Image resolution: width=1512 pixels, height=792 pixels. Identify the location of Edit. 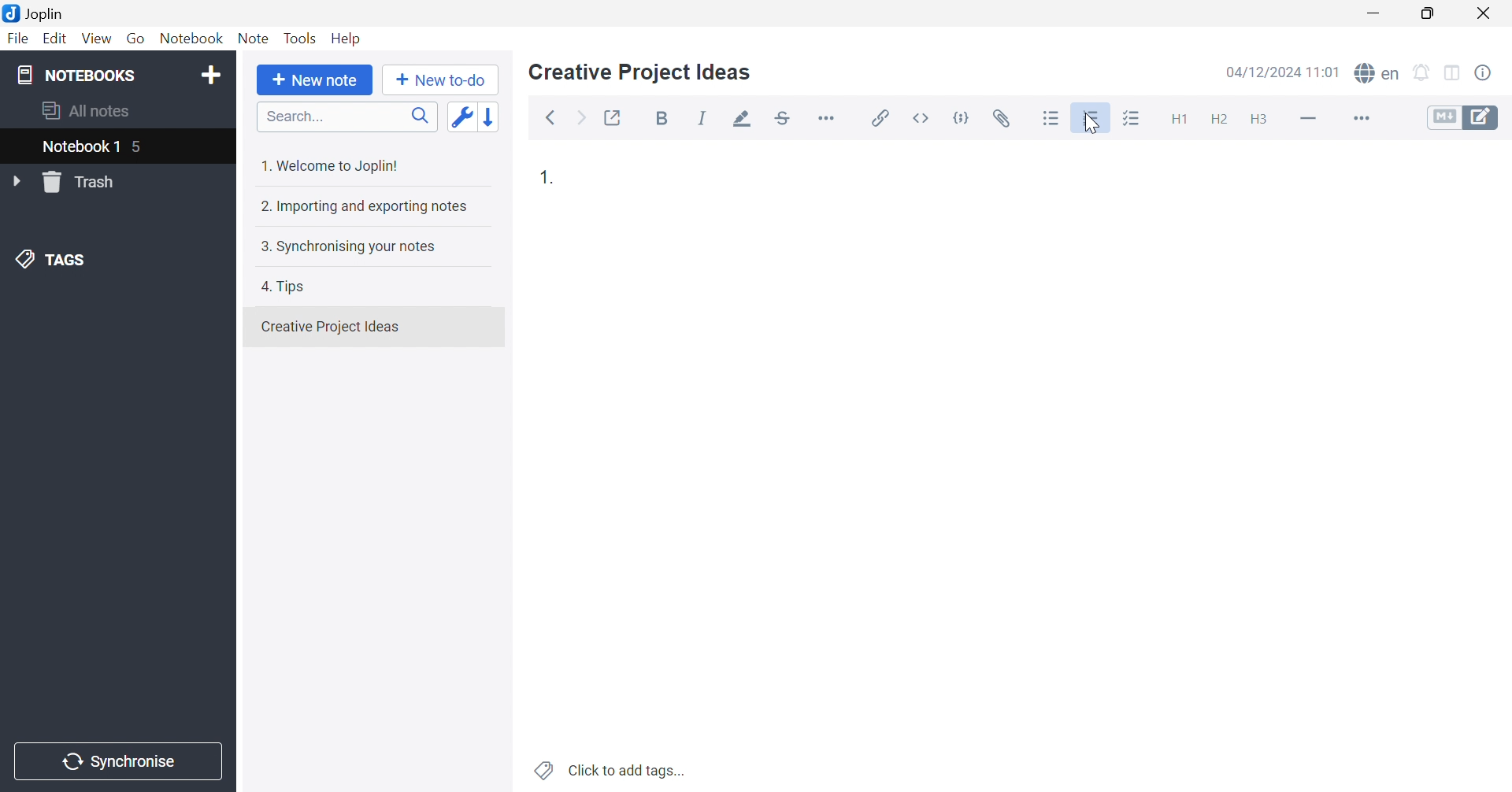
(56, 41).